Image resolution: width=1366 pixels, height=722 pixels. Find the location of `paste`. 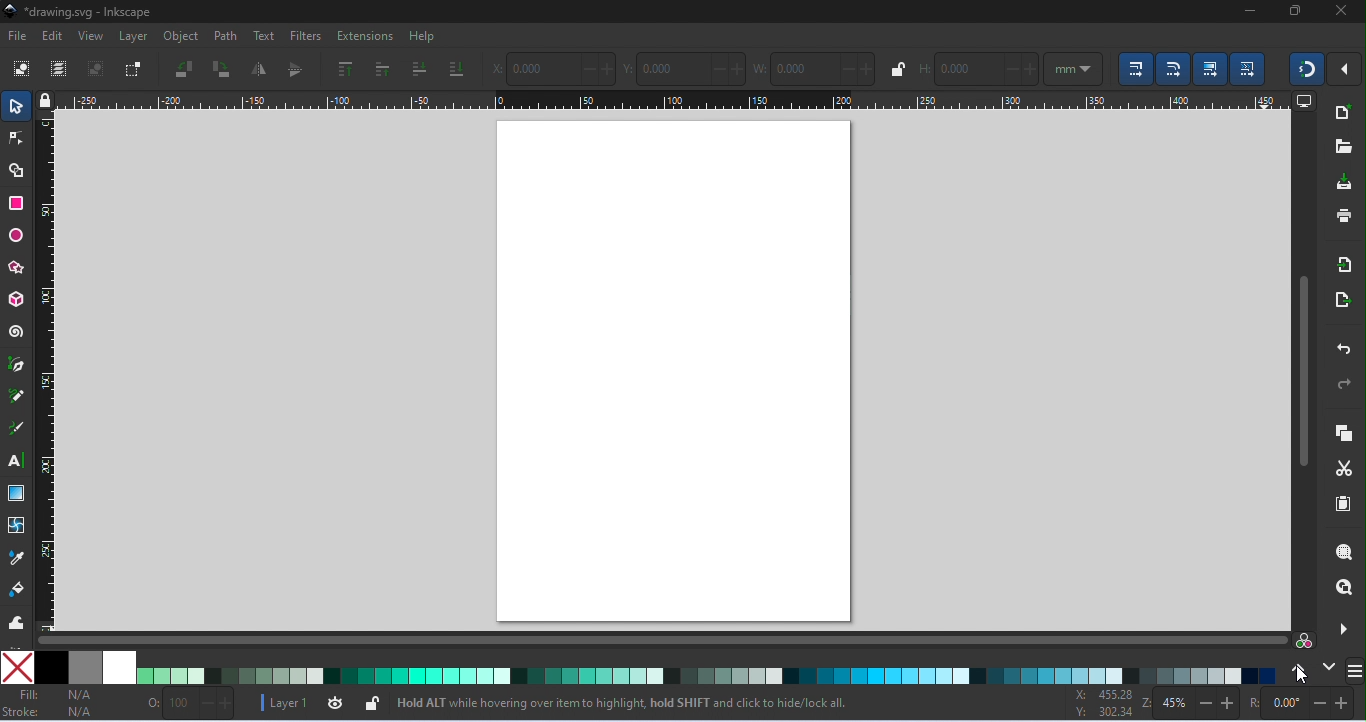

paste is located at coordinates (1342, 506).